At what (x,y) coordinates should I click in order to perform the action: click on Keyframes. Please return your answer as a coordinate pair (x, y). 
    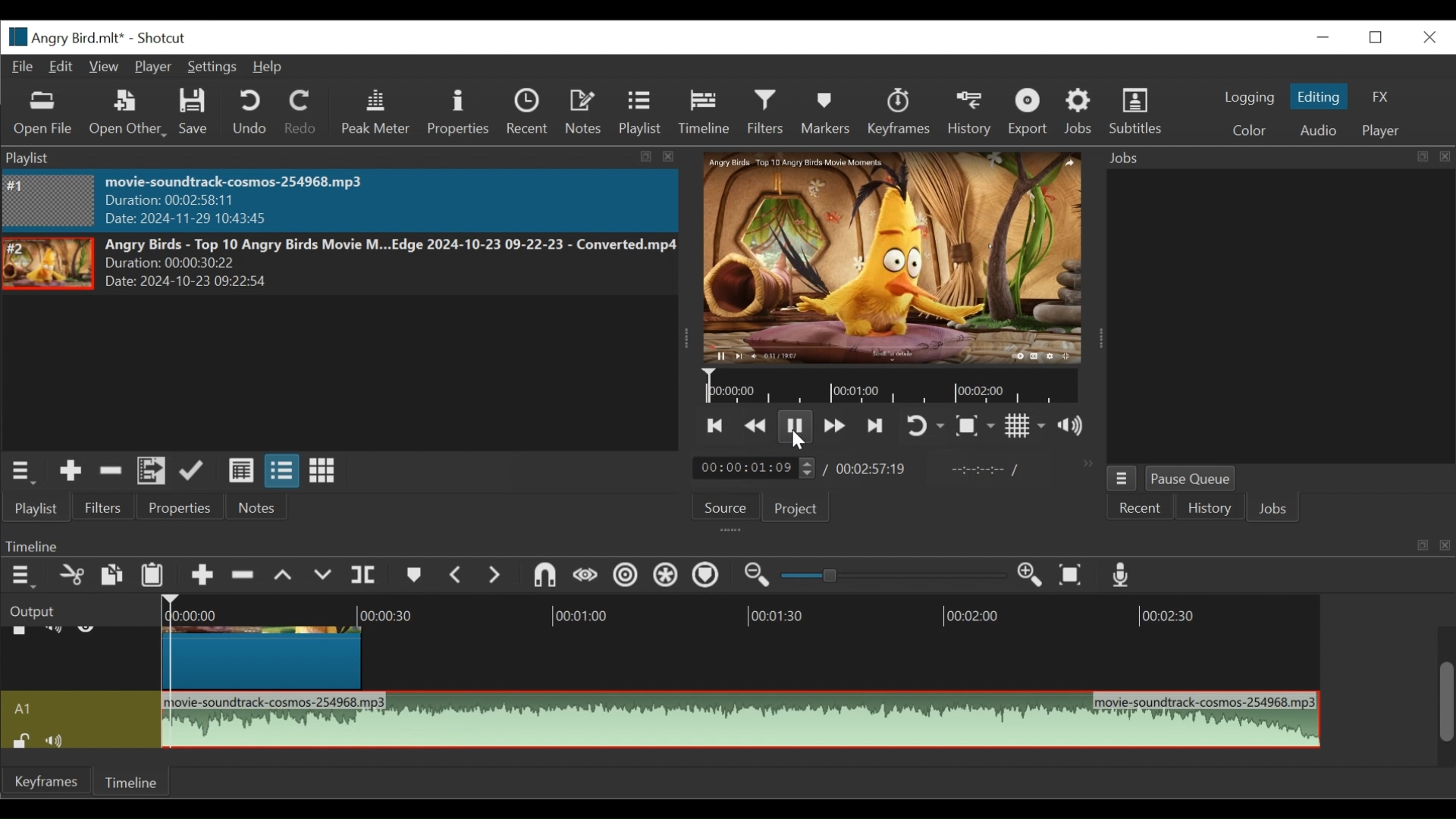
    Looking at the image, I should click on (897, 111).